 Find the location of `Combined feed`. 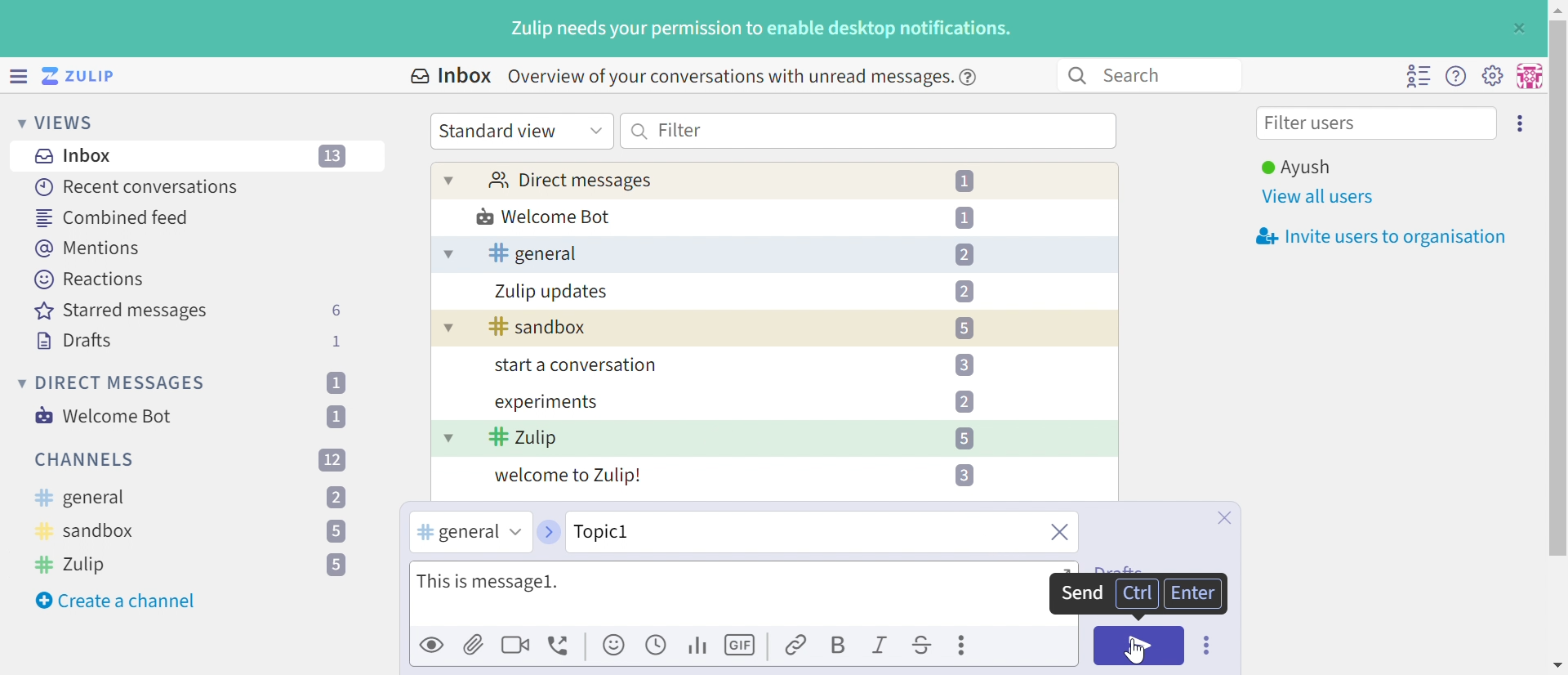

Combined feed is located at coordinates (114, 217).